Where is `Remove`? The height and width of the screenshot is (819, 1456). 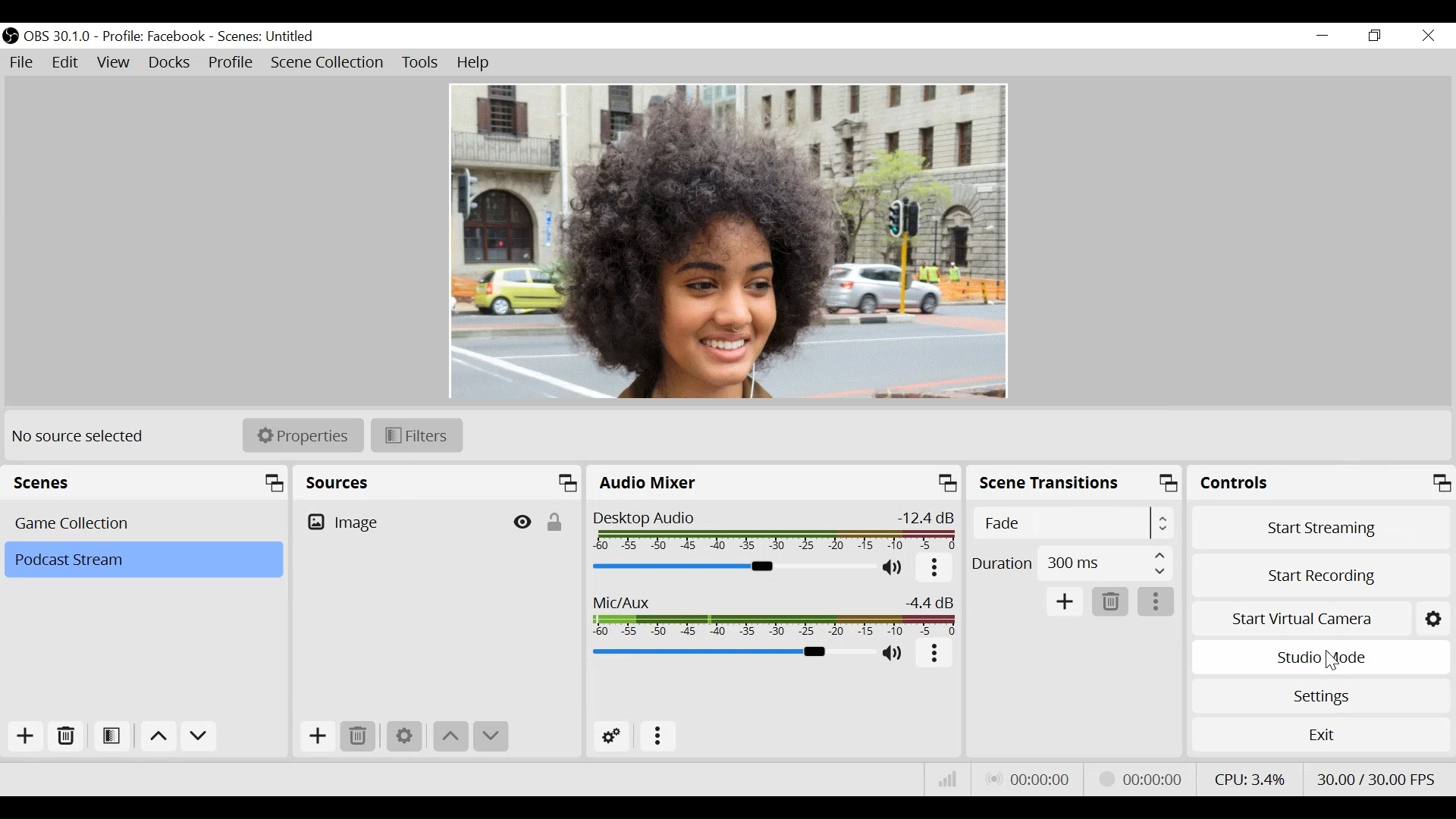
Remove is located at coordinates (64, 736).